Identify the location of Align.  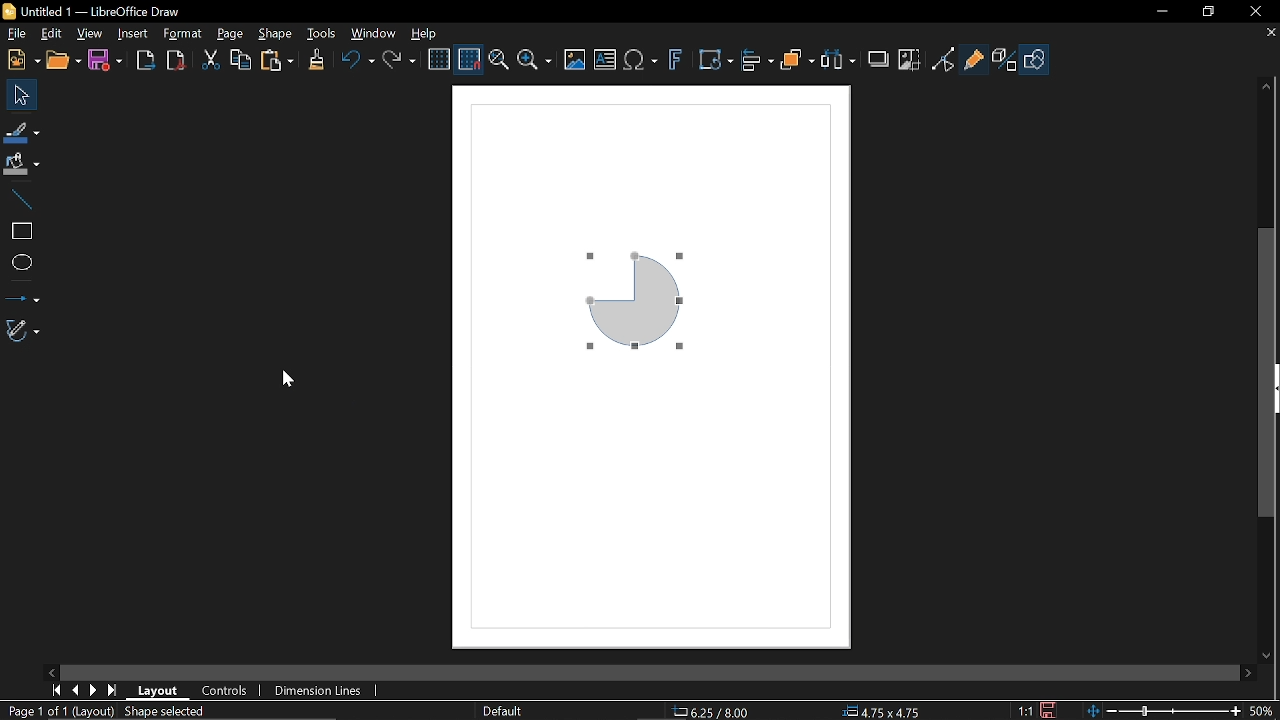
(758, 60).